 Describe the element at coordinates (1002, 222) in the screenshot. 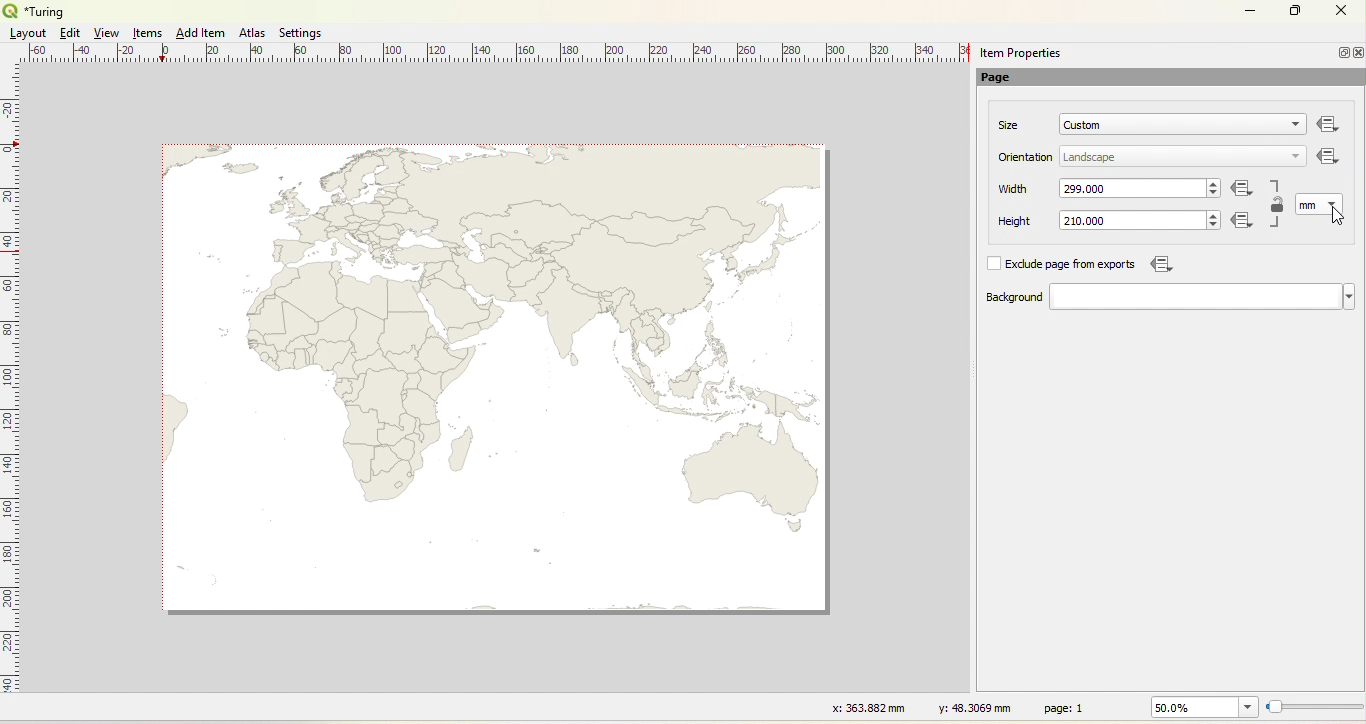

I see `Height` at that location.